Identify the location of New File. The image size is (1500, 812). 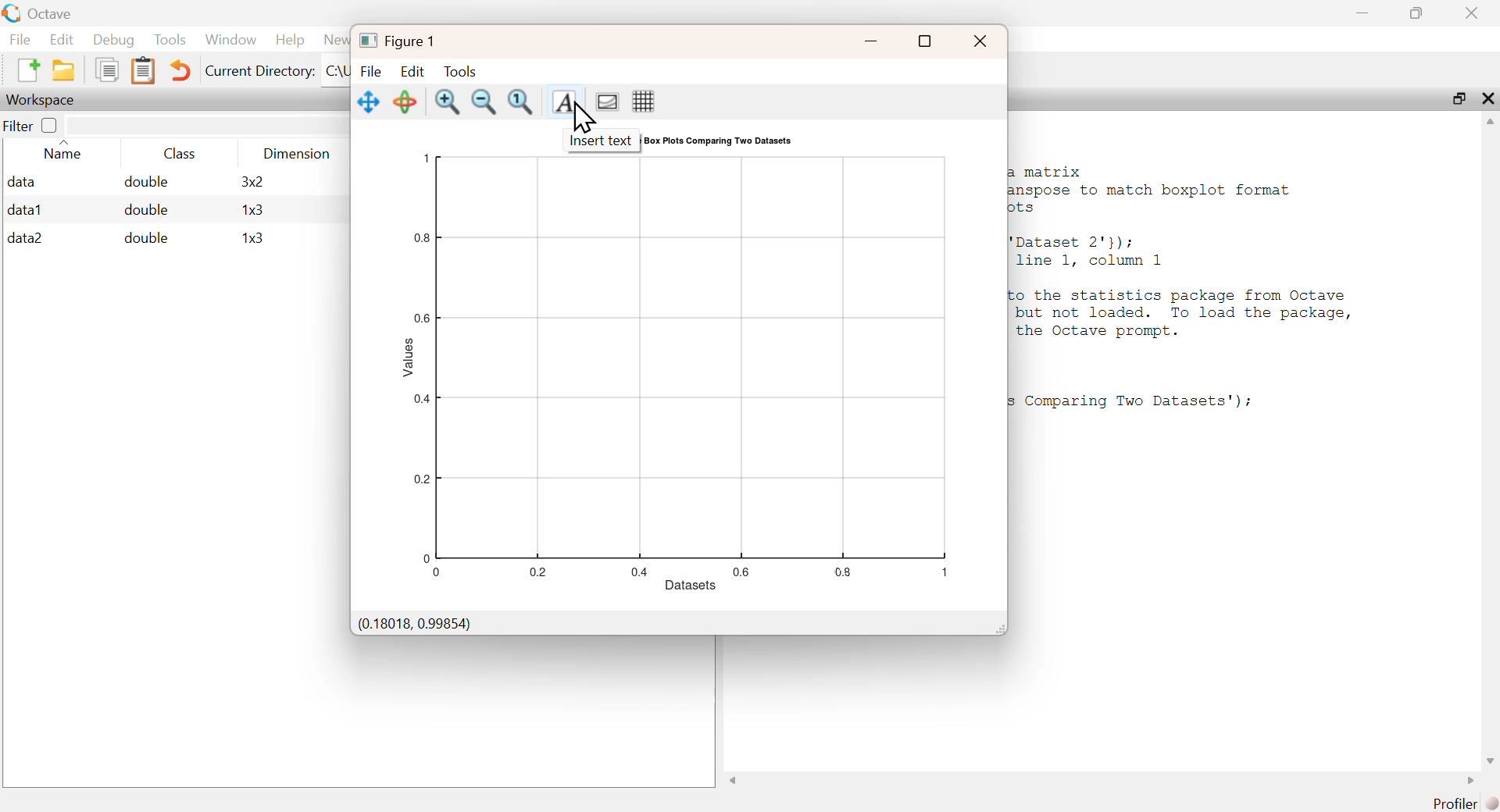
(27, 69).